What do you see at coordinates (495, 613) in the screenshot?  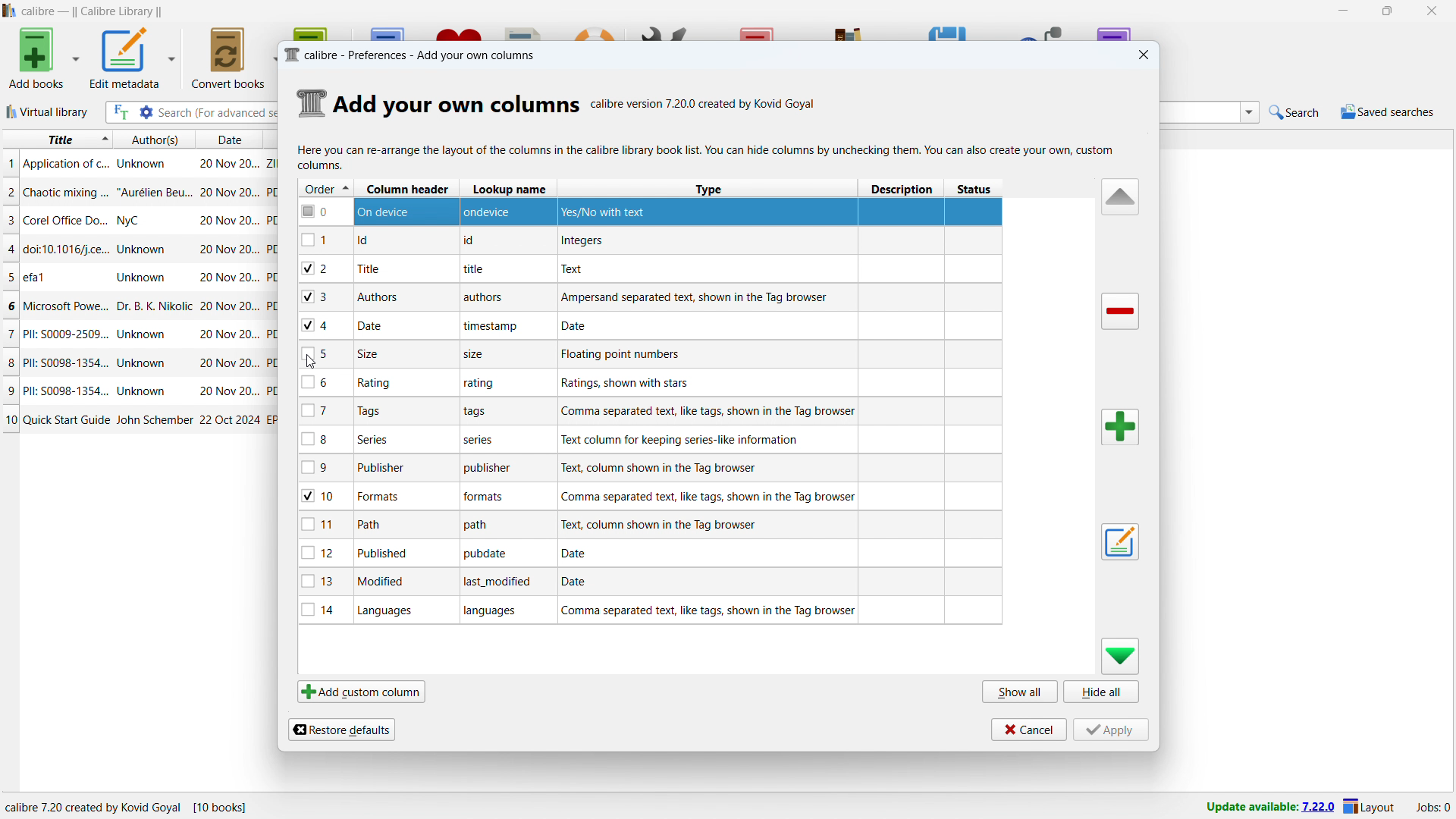 I see `languages` at bounding box center [495, 613].